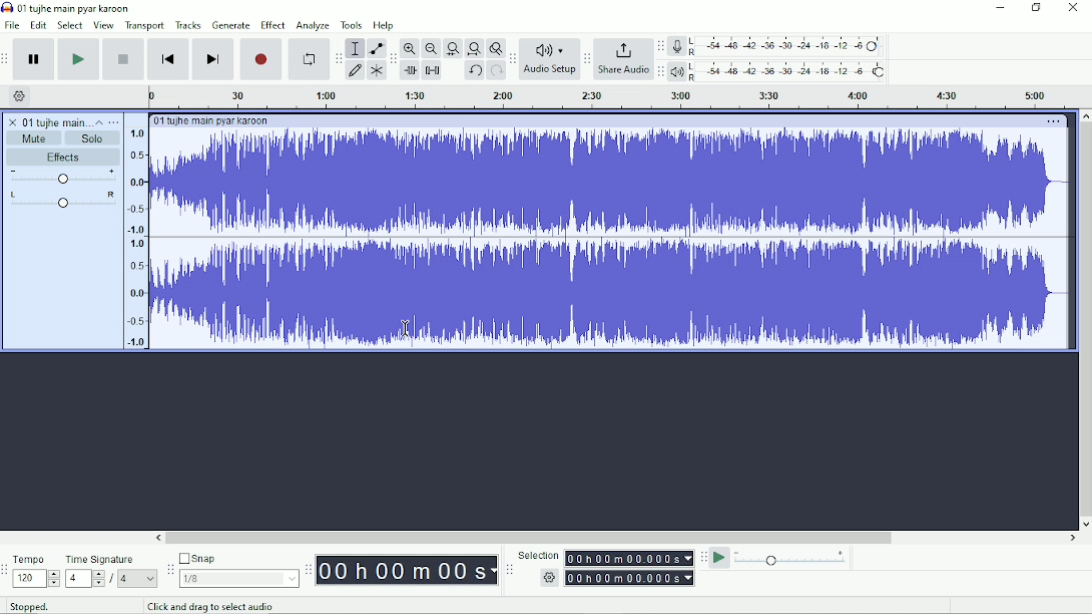 The image size is (1092, 614). What do you see at coordinates (98, 122) in the screenshot?
I see `Collapse` at bounding box center [98, 122].